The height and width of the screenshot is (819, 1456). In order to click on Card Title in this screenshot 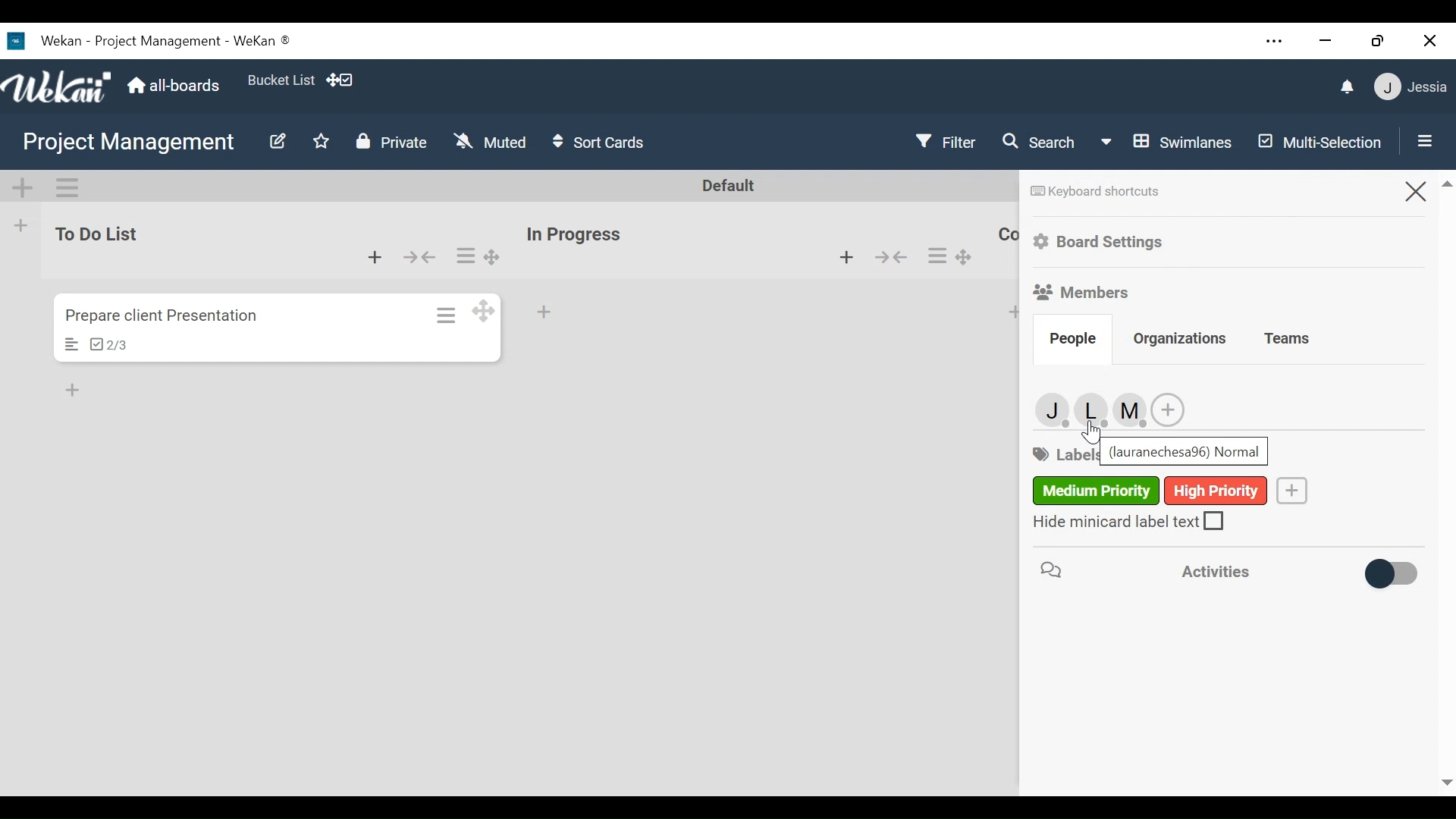, I will do `click(171, 315)`.